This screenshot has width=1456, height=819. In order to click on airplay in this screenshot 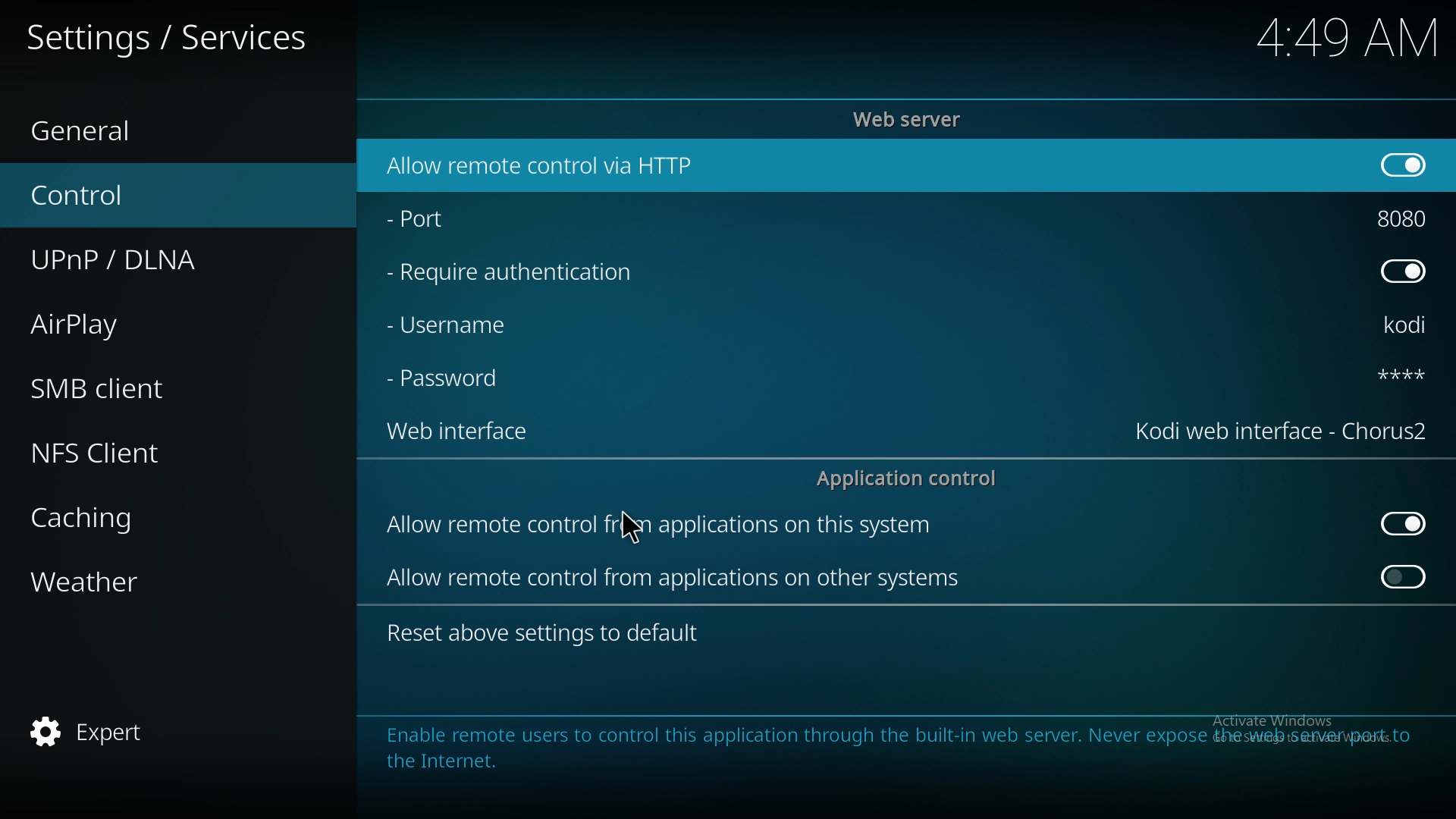, I will do `click(114, 326)`.